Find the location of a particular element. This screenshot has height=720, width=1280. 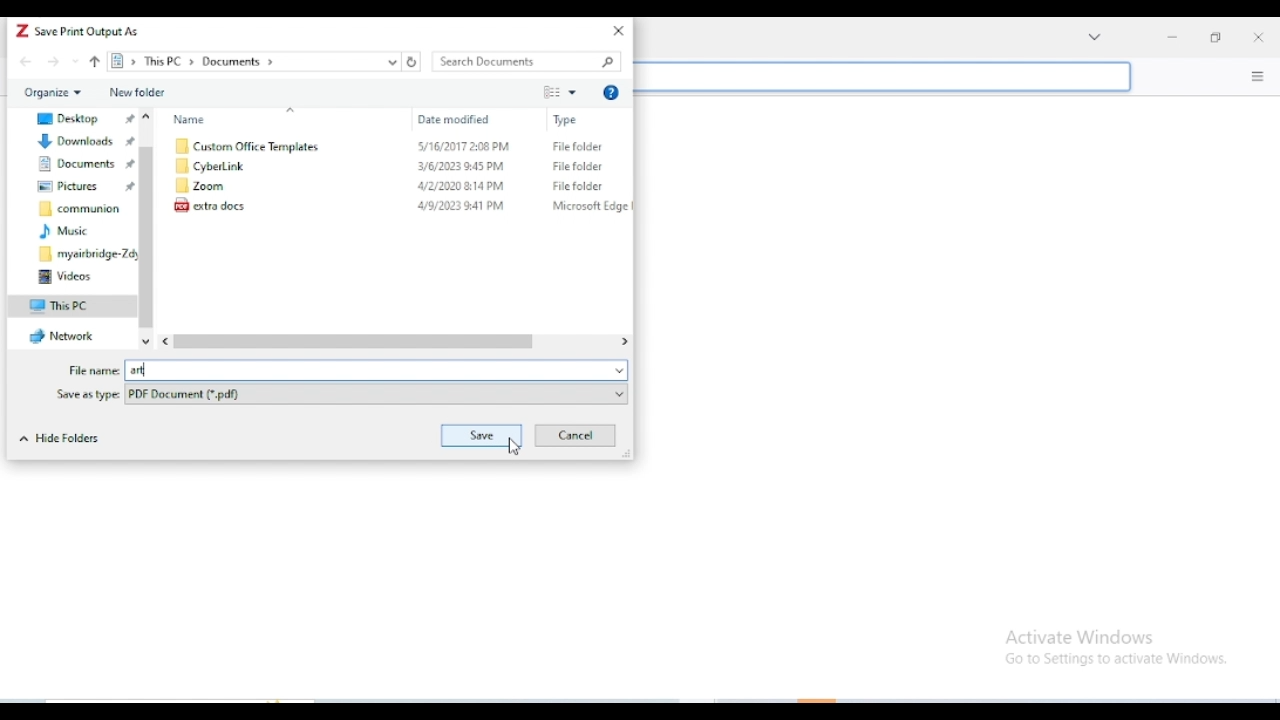

close is located at coordinates (1258, 35).